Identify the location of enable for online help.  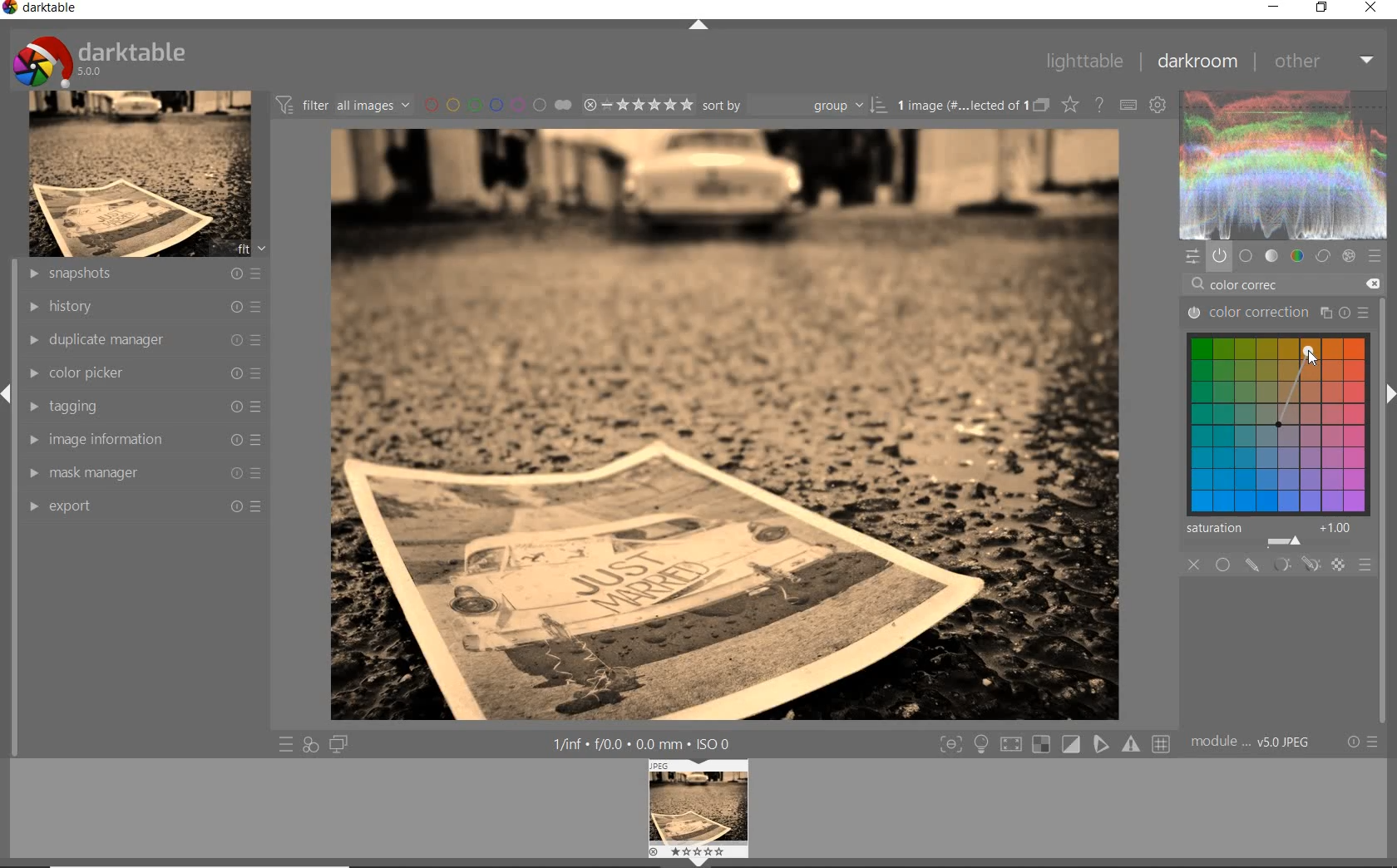
(1100, 104).